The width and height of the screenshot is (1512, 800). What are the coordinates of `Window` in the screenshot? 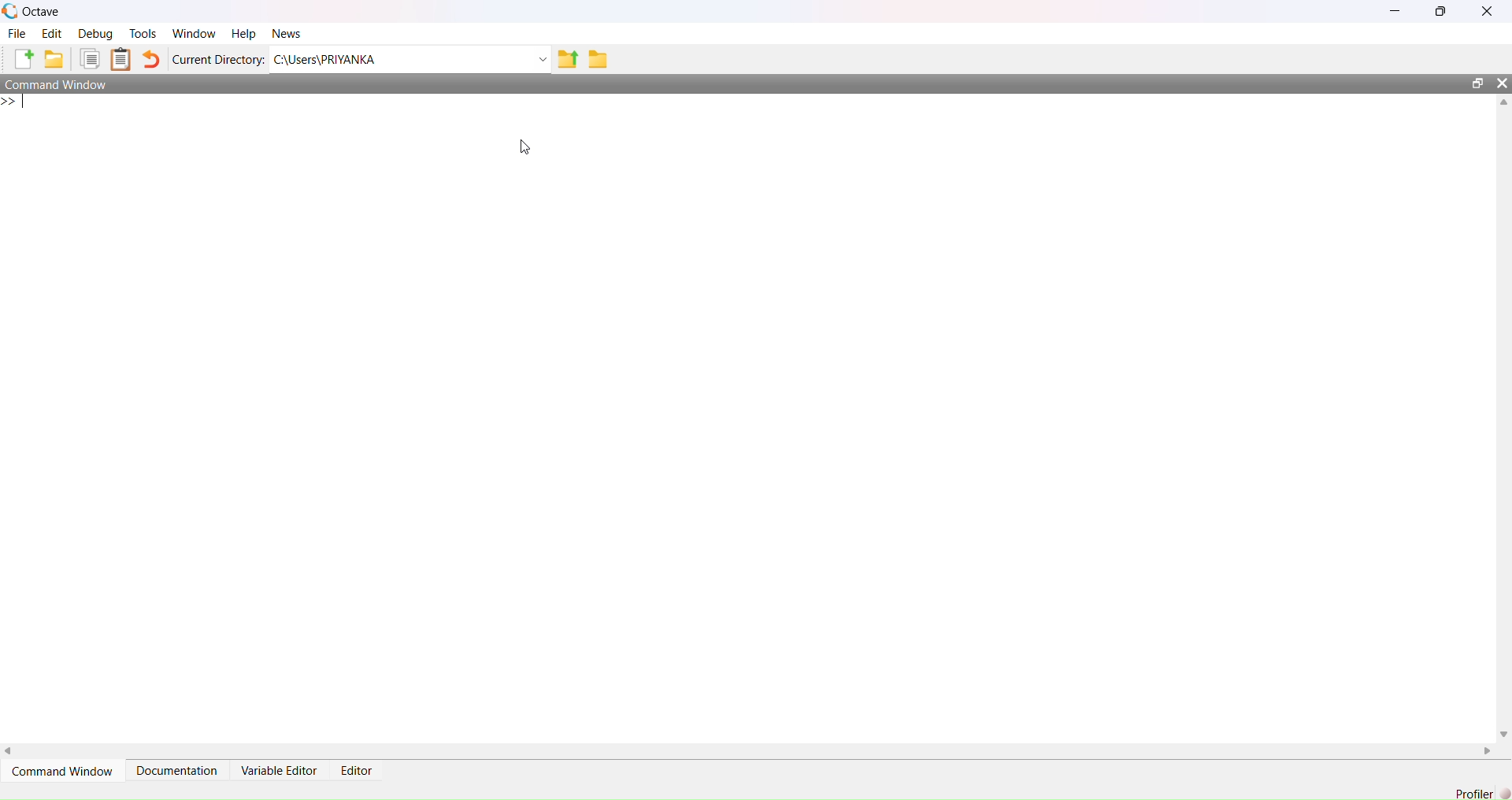 It's located at (194, 32).